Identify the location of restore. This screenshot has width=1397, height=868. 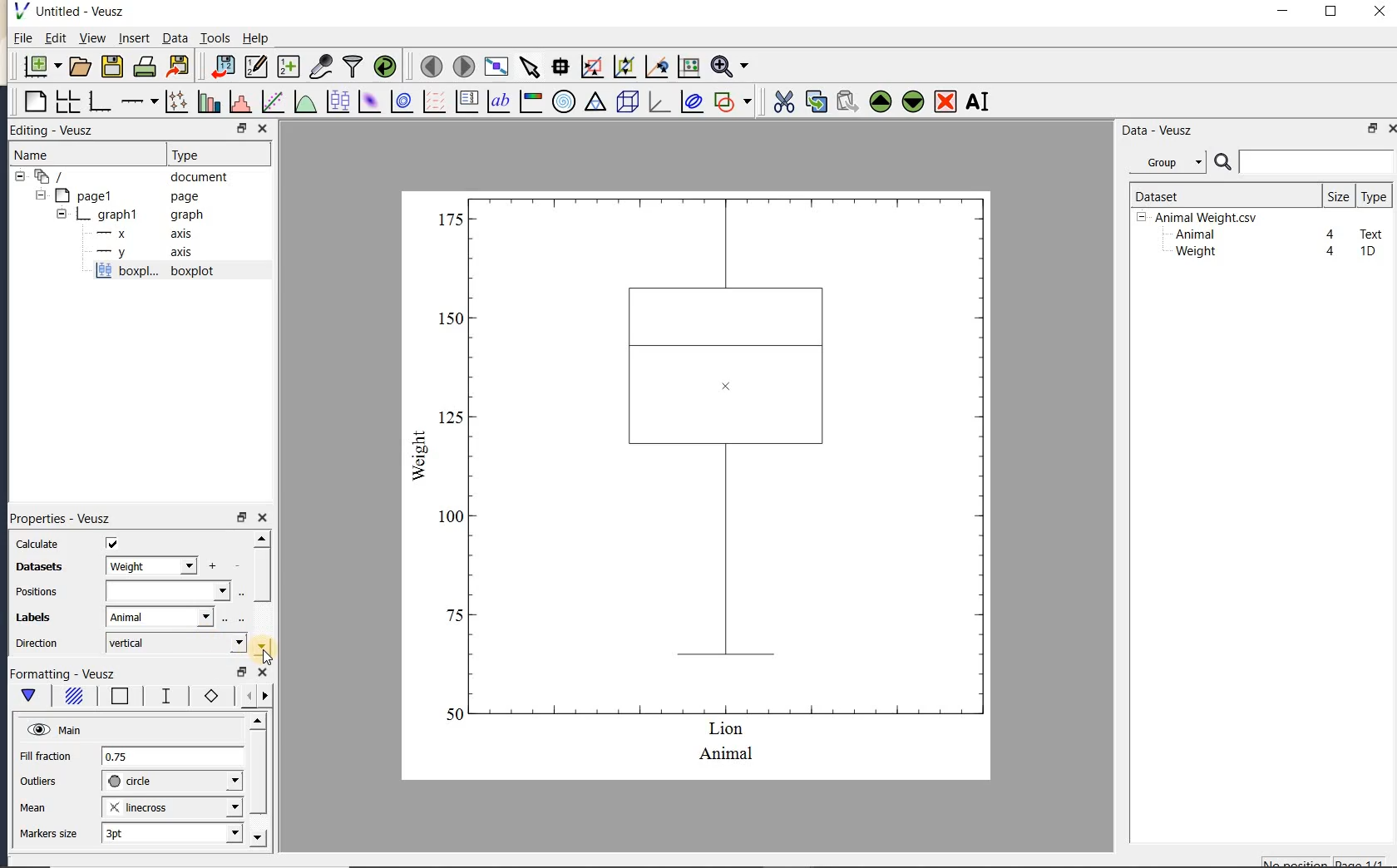
(241, 517).